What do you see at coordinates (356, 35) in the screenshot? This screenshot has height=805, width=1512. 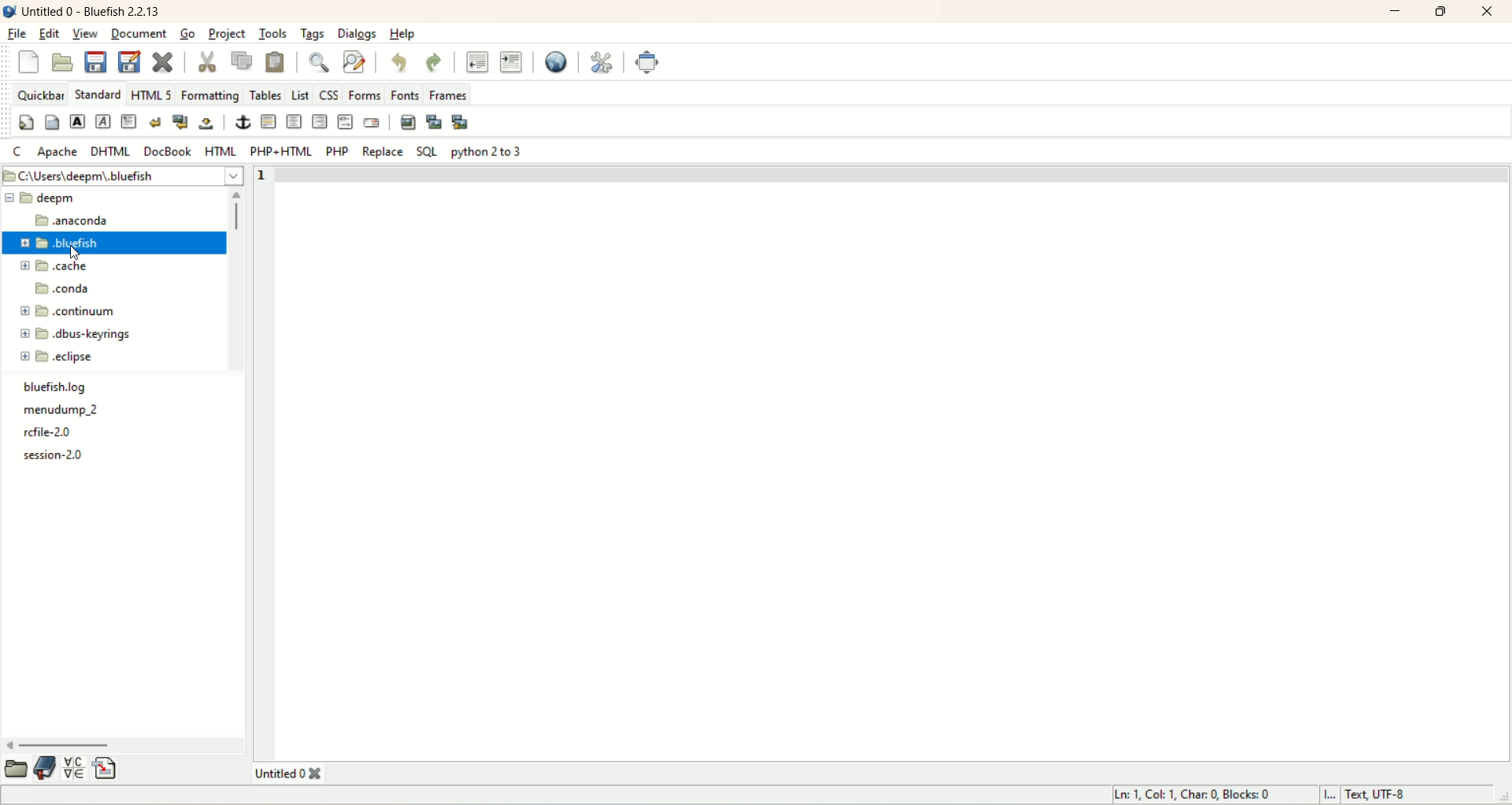 I see `dialogs` at bounding box center [356, 35].